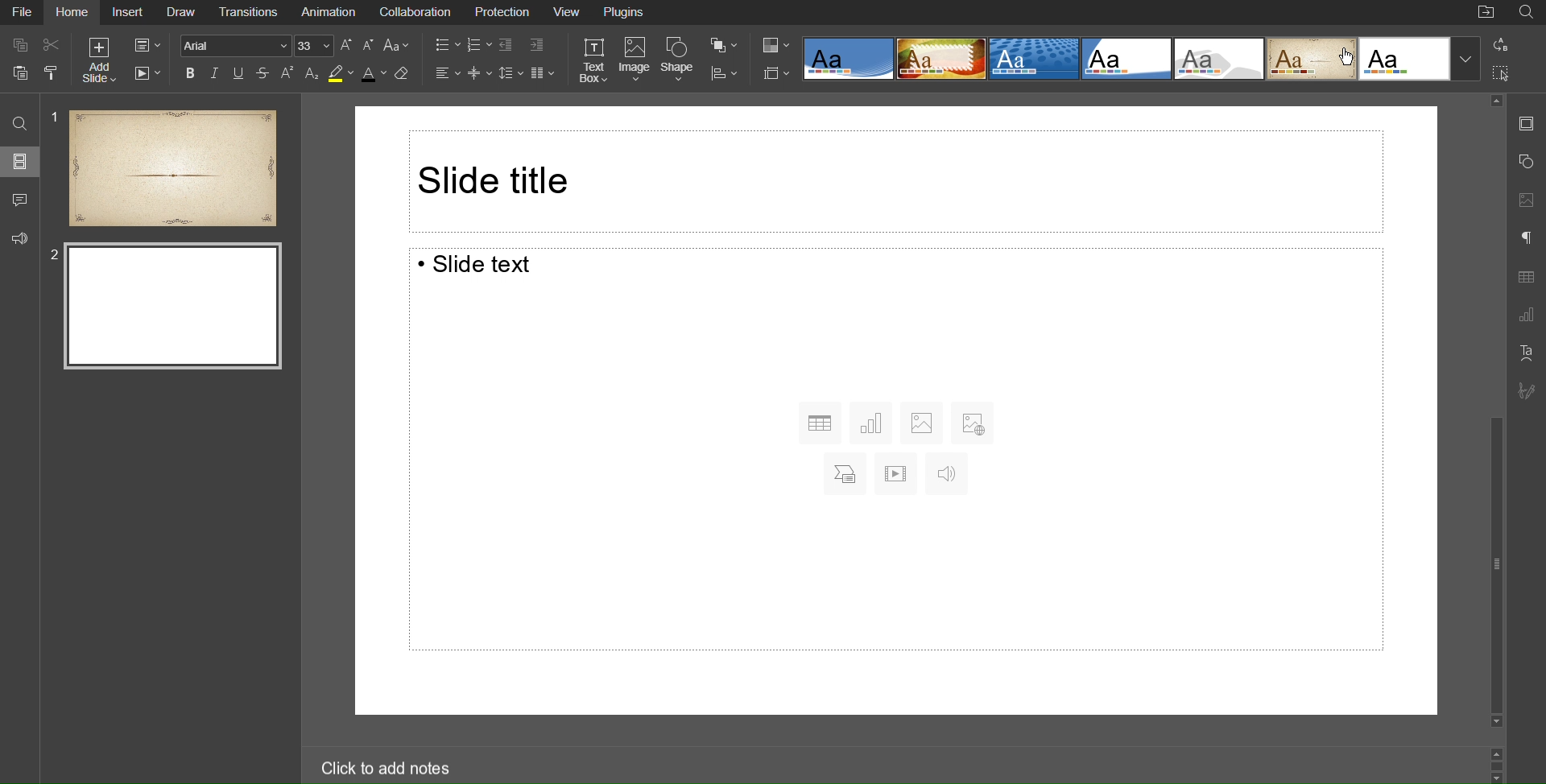 The height and width of the screenshot is (784, 1546). What do you see at coordinates (191, 73) in the screenshot?
I see `Bold ` at bounding box center [191, 73].